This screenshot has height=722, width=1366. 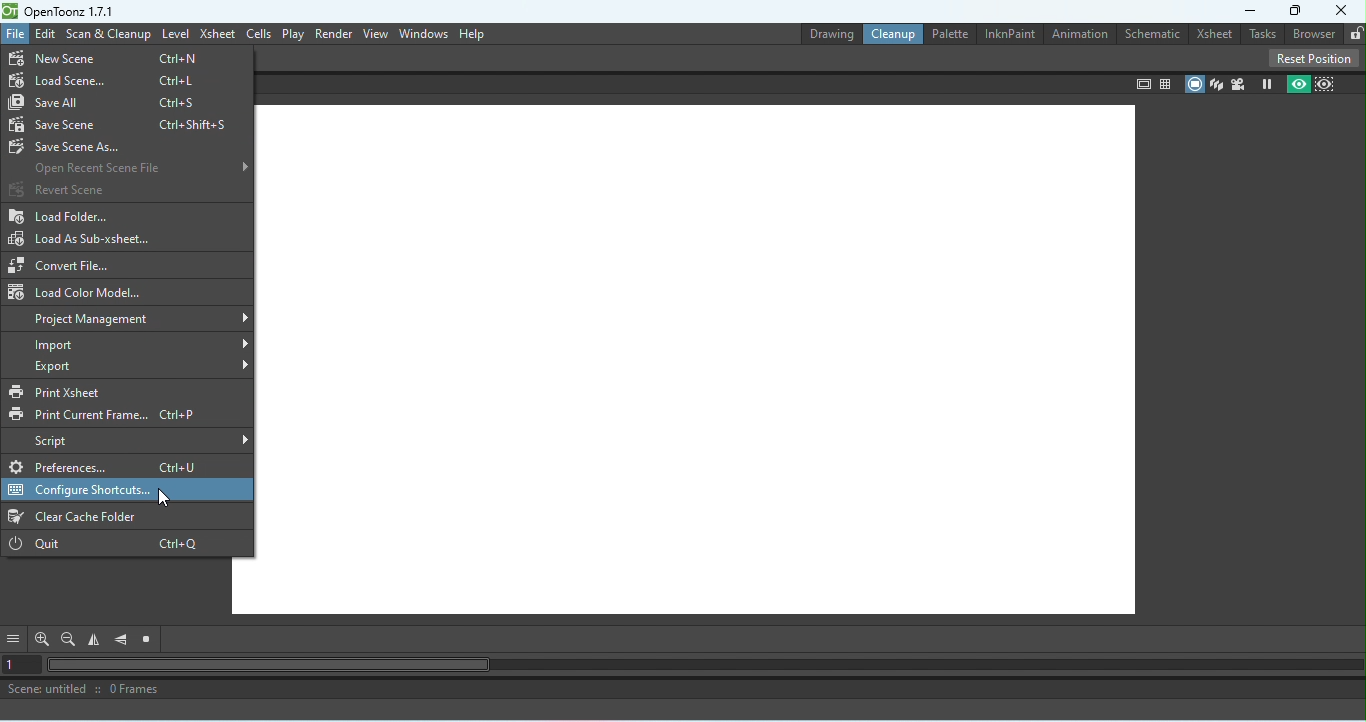 I want to click on Prefrences, so click(x=134, y=466).